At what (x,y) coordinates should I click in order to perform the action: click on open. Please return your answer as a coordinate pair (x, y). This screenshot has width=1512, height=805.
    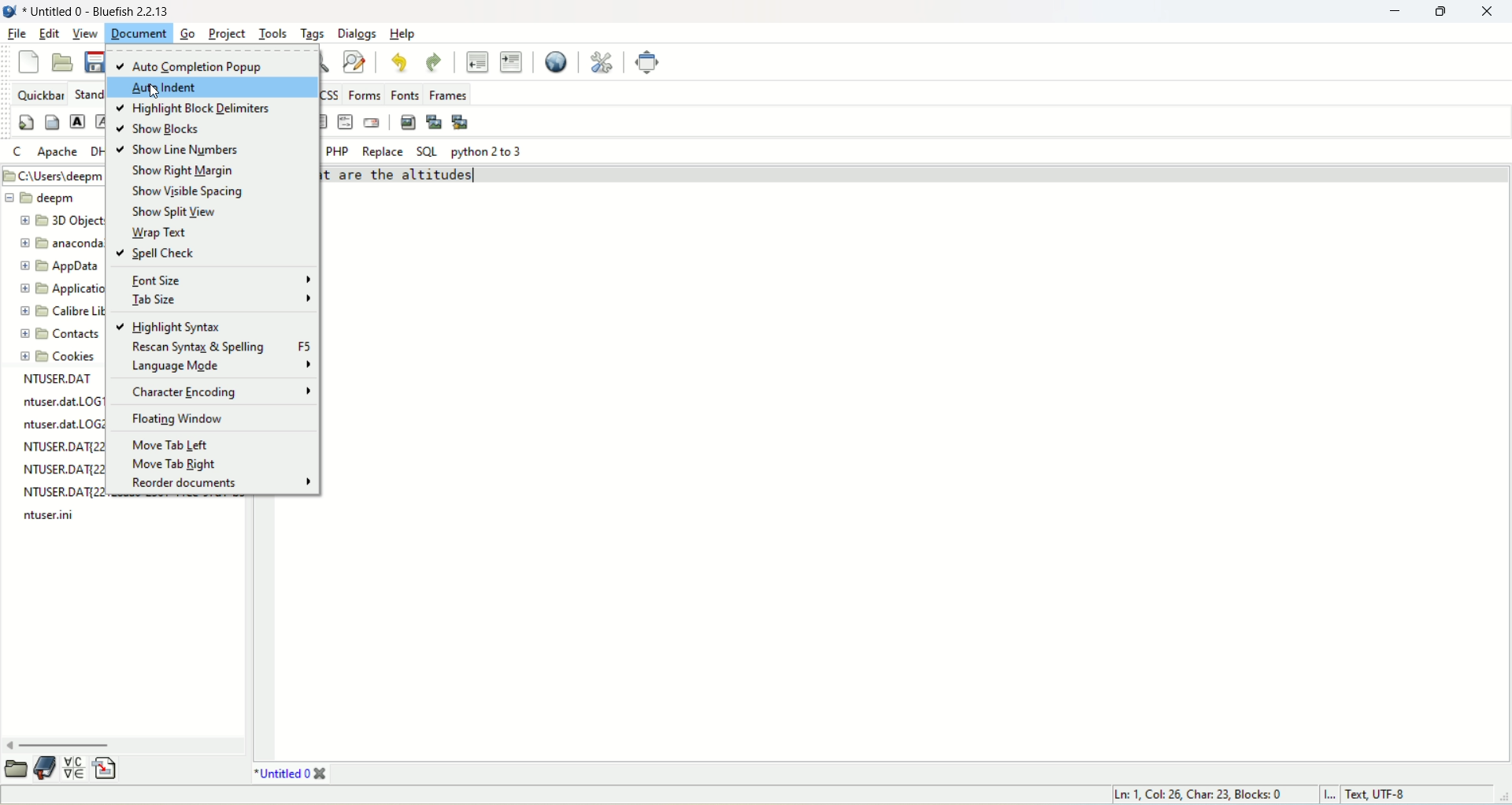
    Looking at the image, I should click on (17, 770).